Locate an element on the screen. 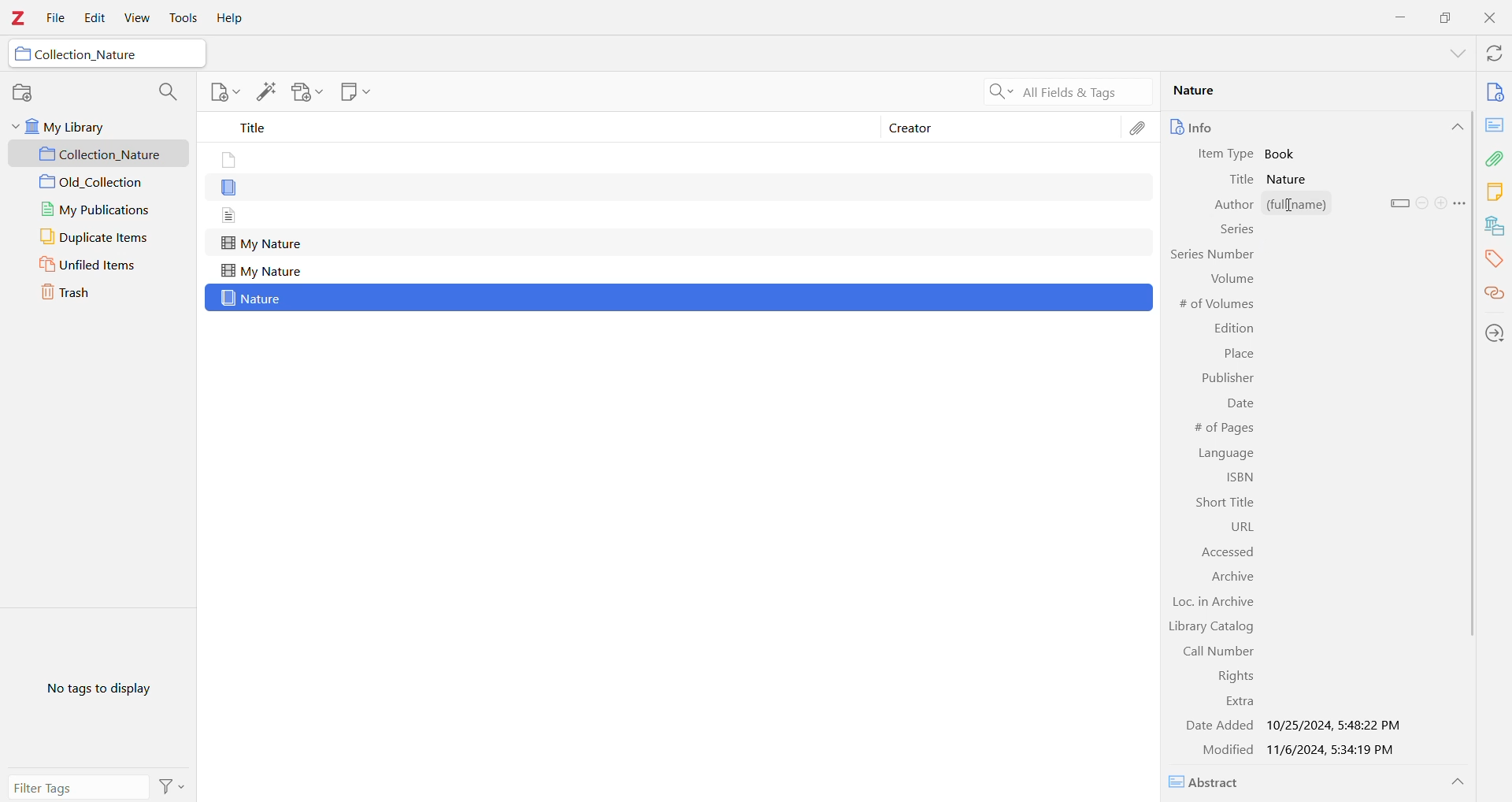 The height and width of the screenshot is (802, 1512). My Nature is located at coordinates (261, 244).